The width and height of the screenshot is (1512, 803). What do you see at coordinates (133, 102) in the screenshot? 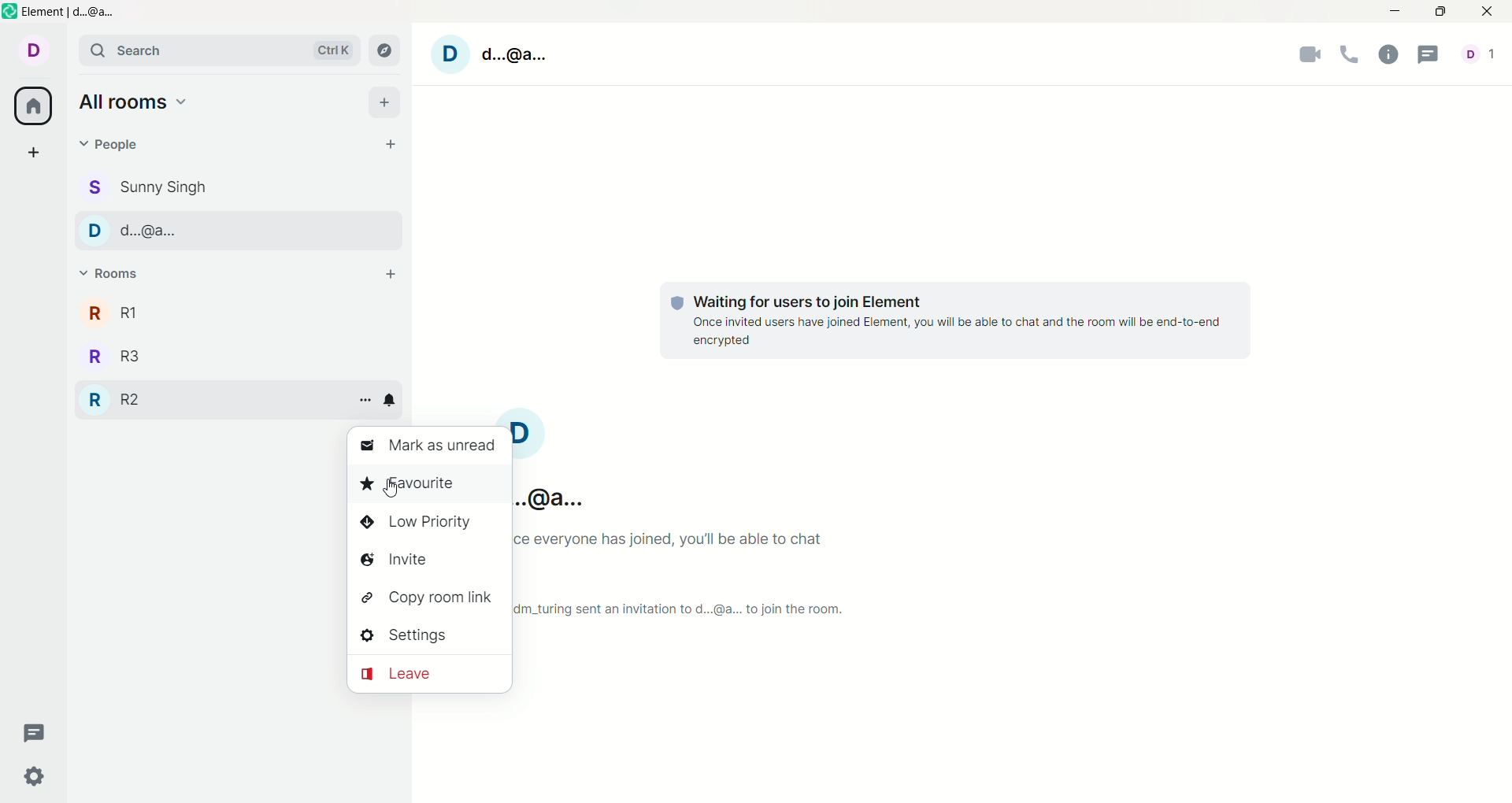
I see `all rooms` at bounding box center [133, 102].